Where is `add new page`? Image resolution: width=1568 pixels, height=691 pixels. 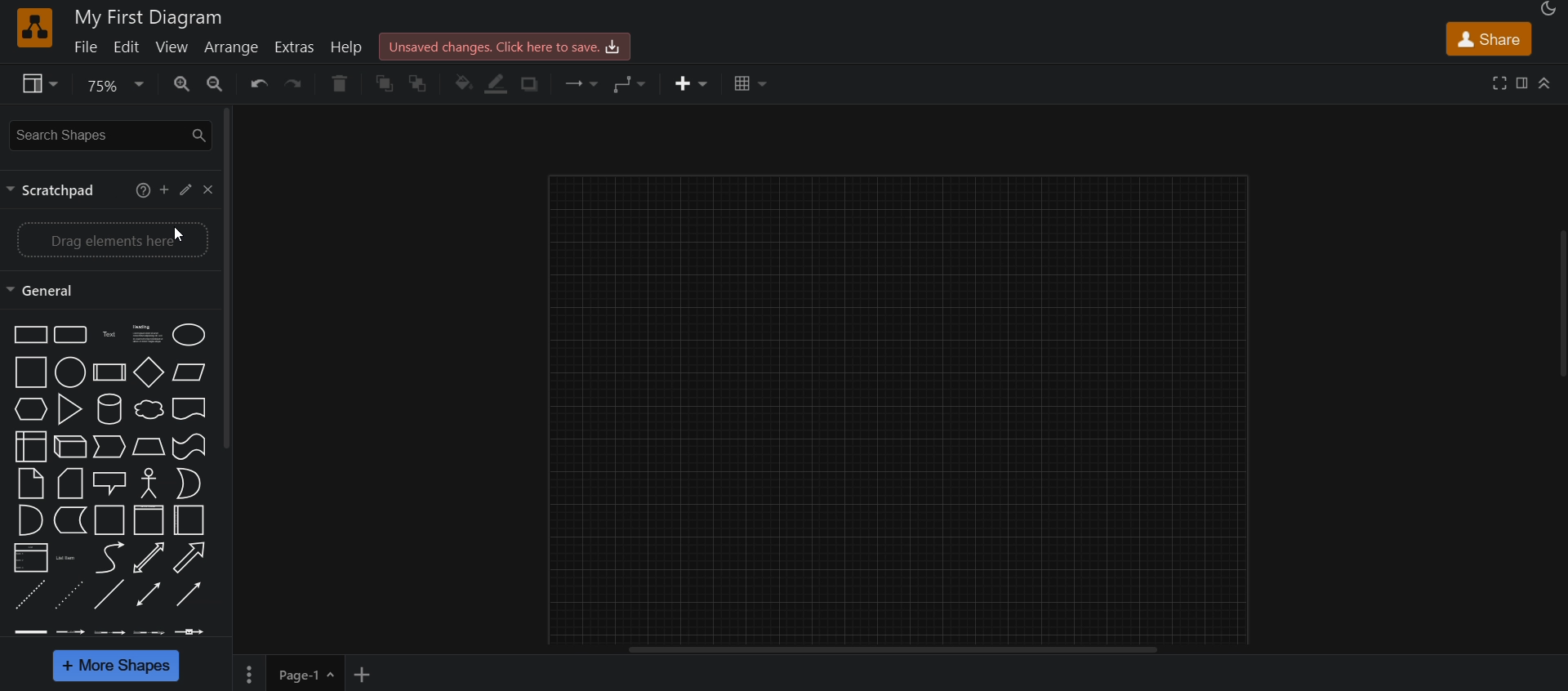
add new page is located at coordinates (370, 675).